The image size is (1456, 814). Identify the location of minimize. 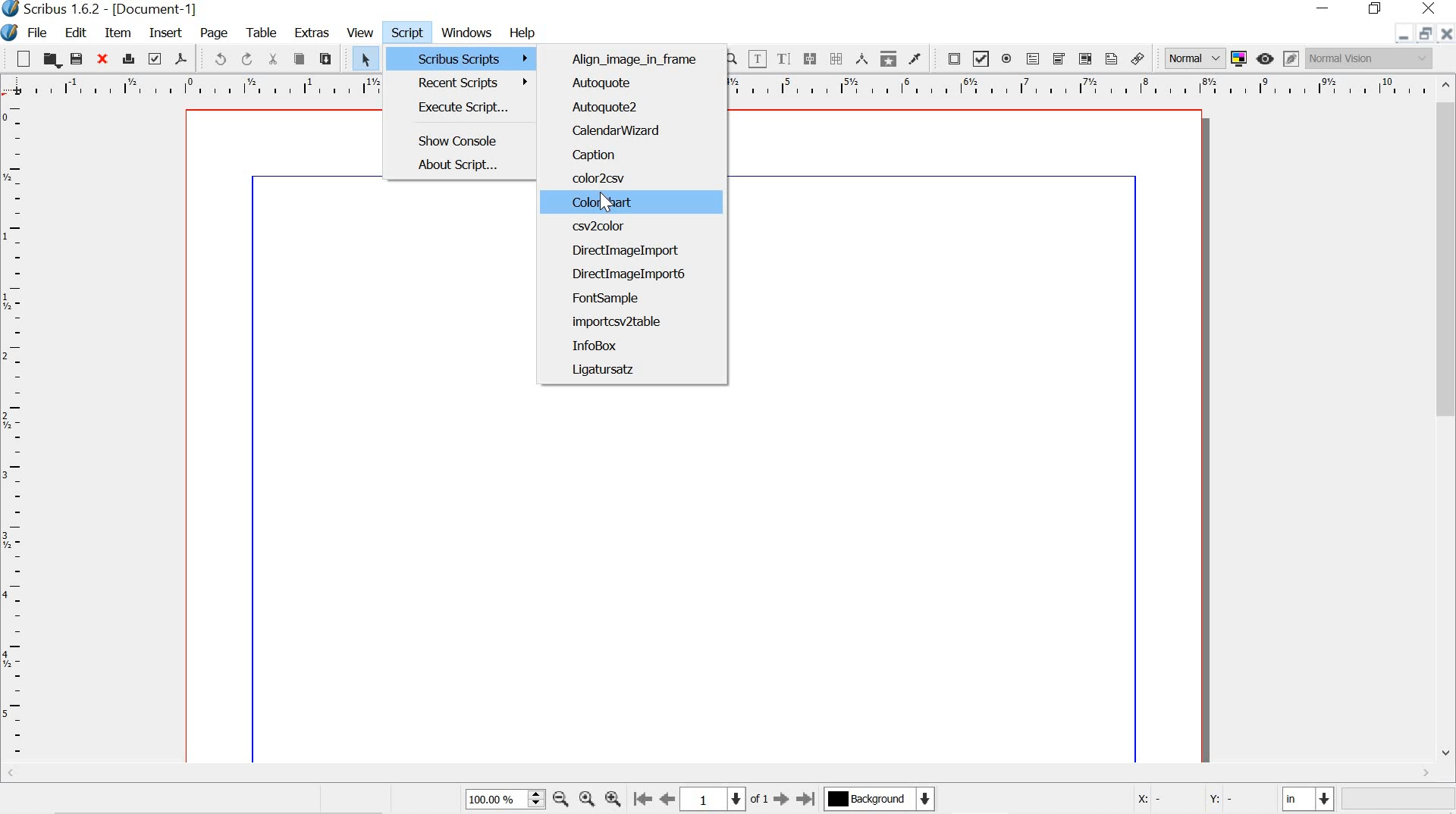
(1401, 37).